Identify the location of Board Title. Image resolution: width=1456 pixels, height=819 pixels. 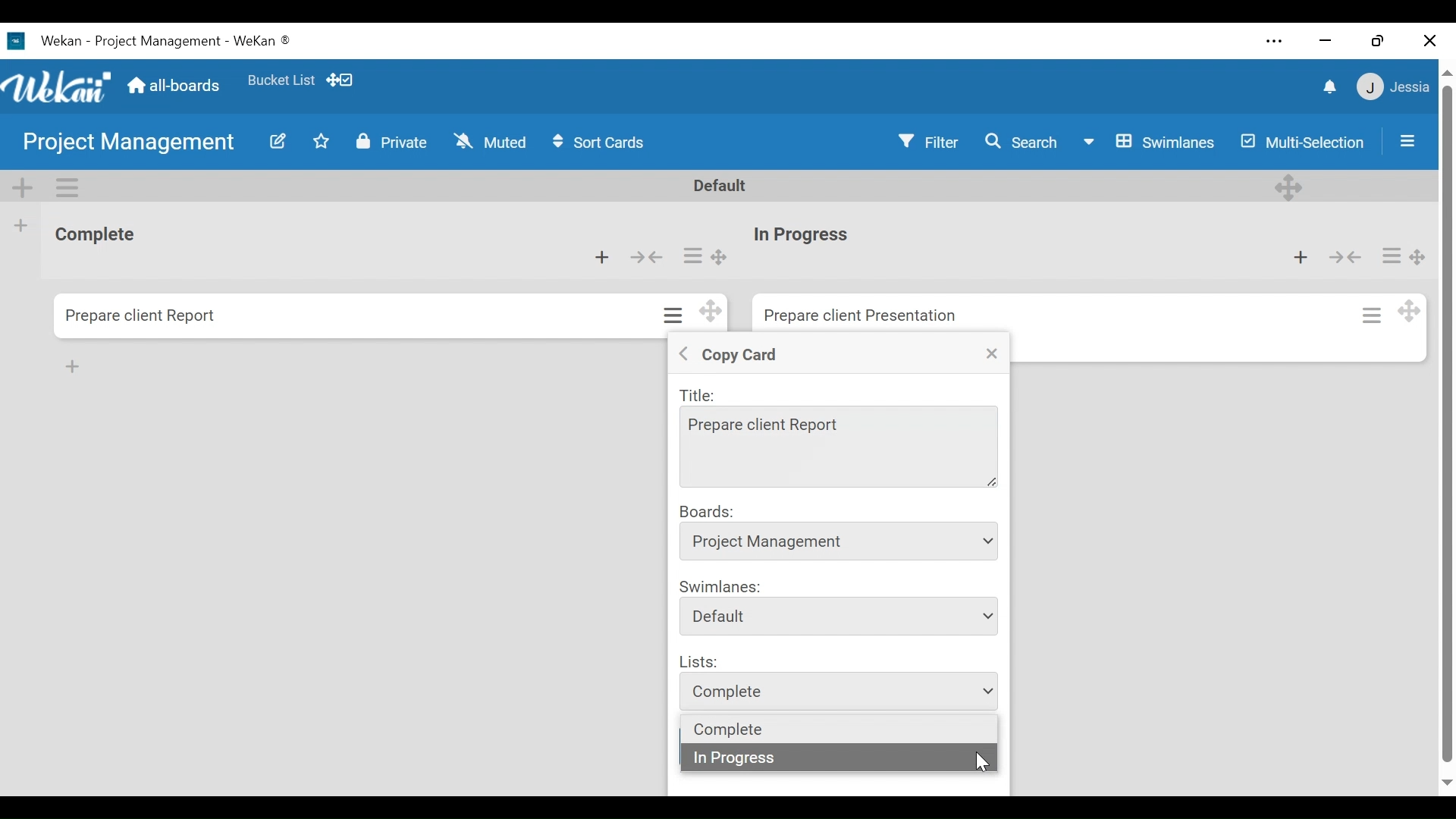
(127, 143).